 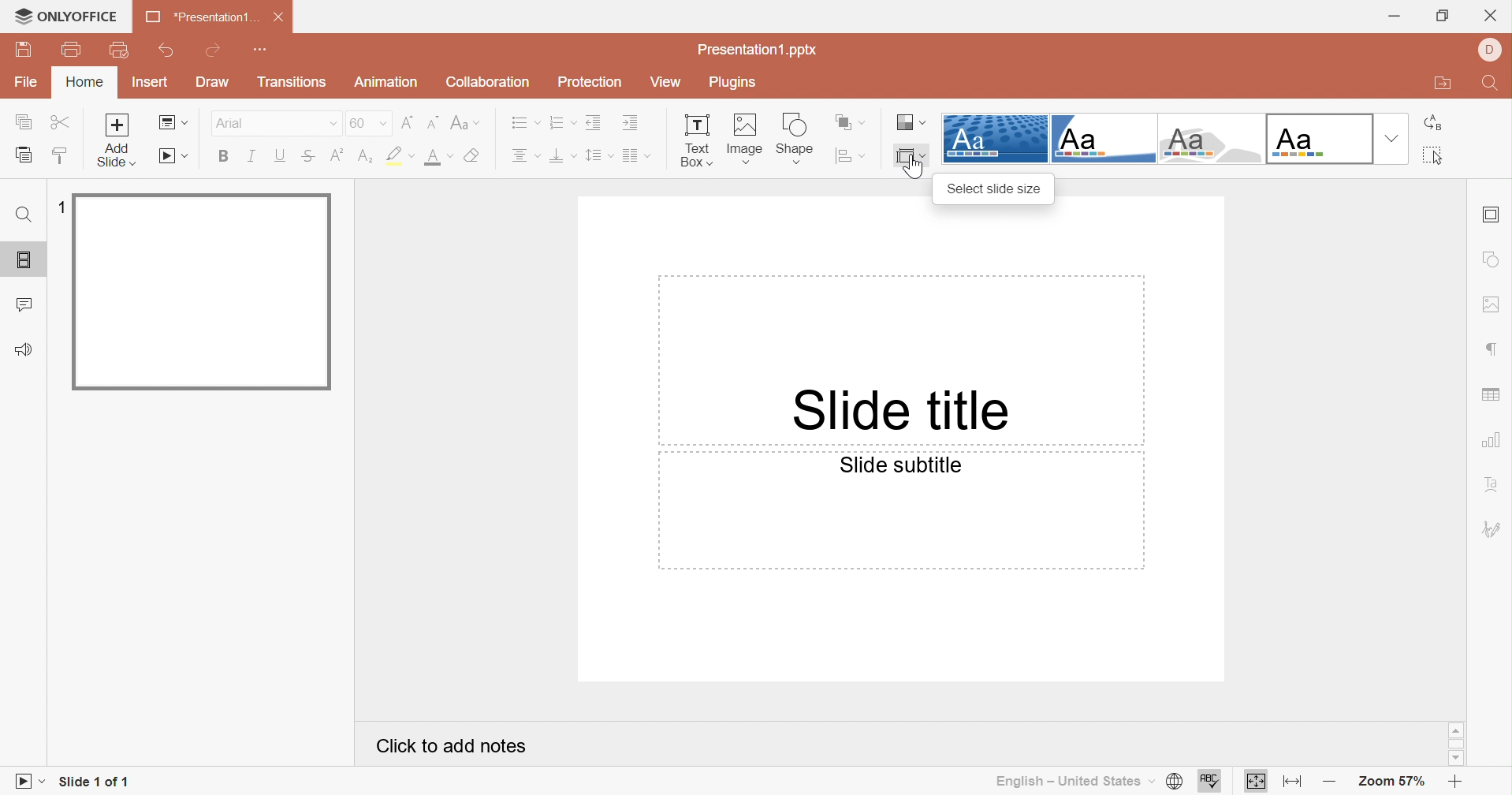 What do you see at coordinates (448, 747) in the screenshot?
I see `Click to add notes` at bounding box center [448, 747].